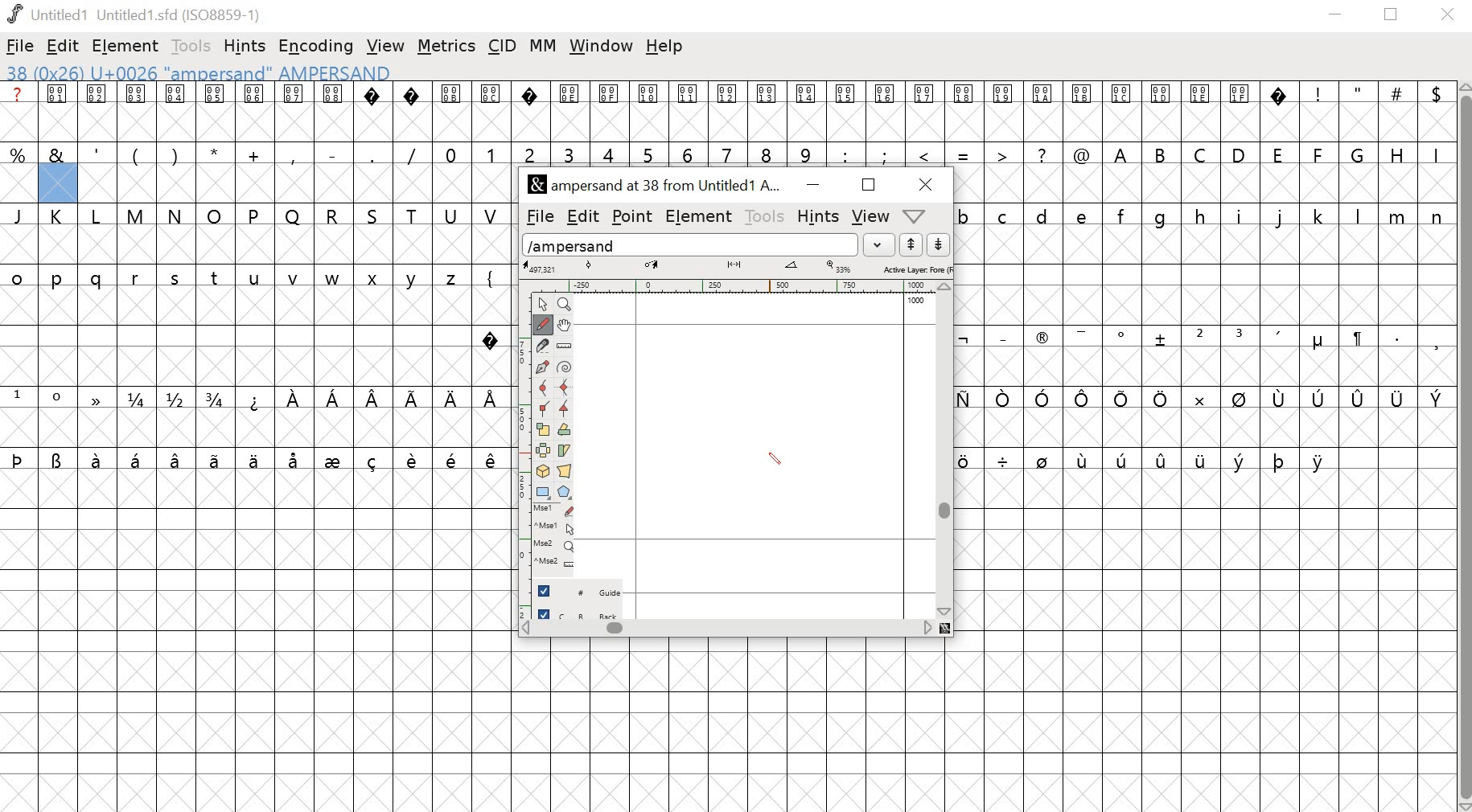 This screenshot has height=812, width=1472. What do you see at coordinates (452, 153) in the screenshot?
I see `0` at bounding box center [452, 153].